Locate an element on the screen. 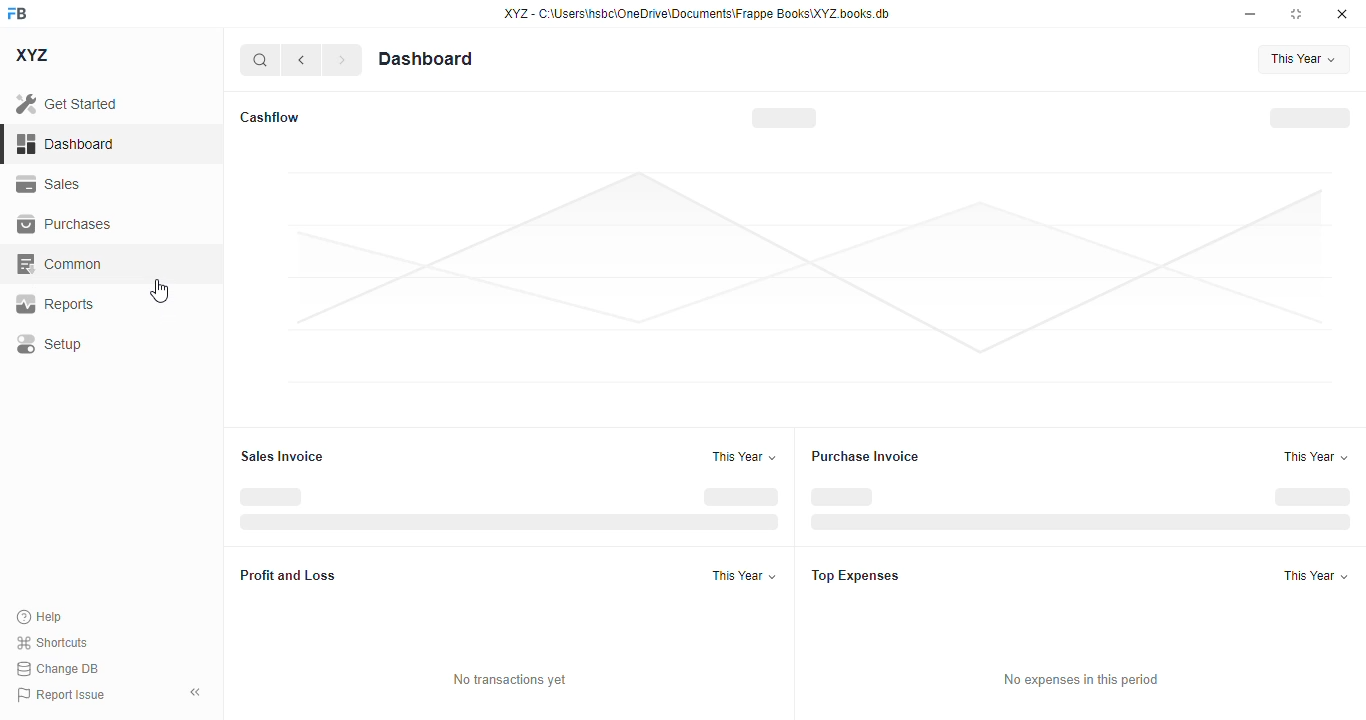 The width and height of the screenshot is (1366, 720). next is located at coordinates (343, 60).